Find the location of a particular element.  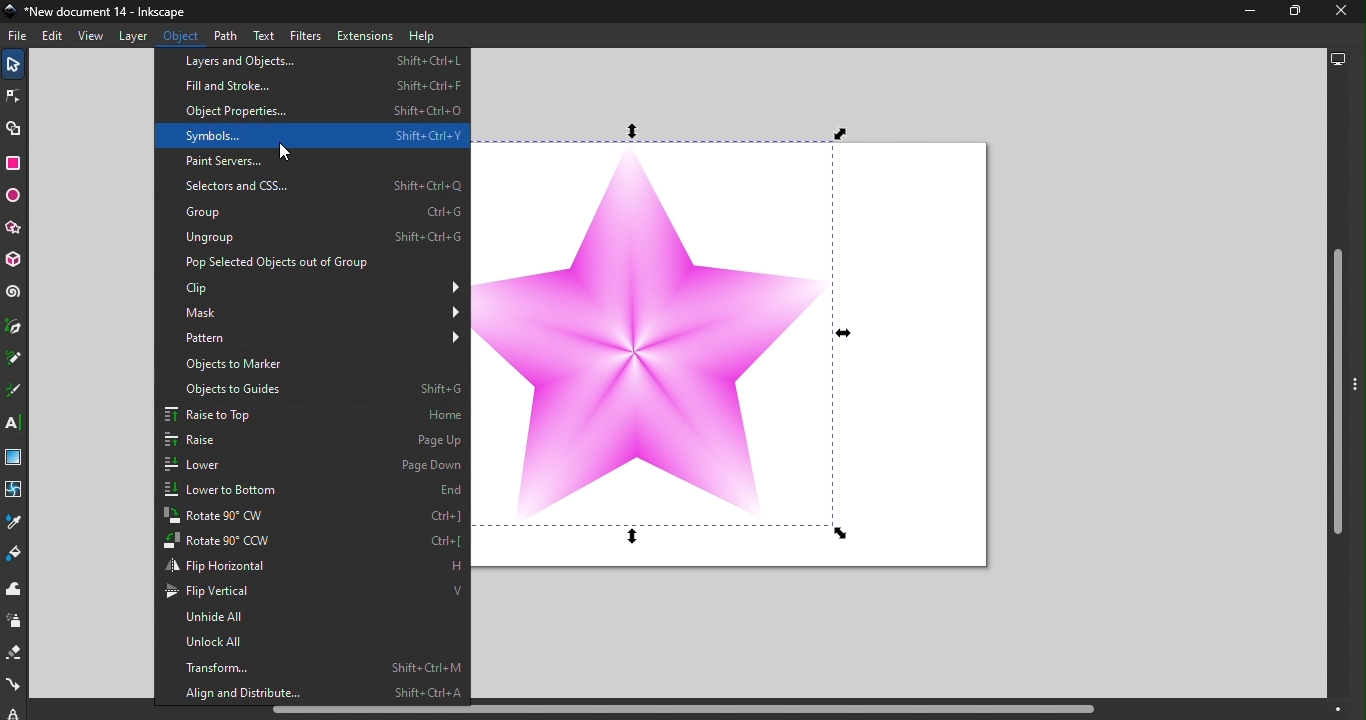

Connector tool is located at coordinates (14, 687).